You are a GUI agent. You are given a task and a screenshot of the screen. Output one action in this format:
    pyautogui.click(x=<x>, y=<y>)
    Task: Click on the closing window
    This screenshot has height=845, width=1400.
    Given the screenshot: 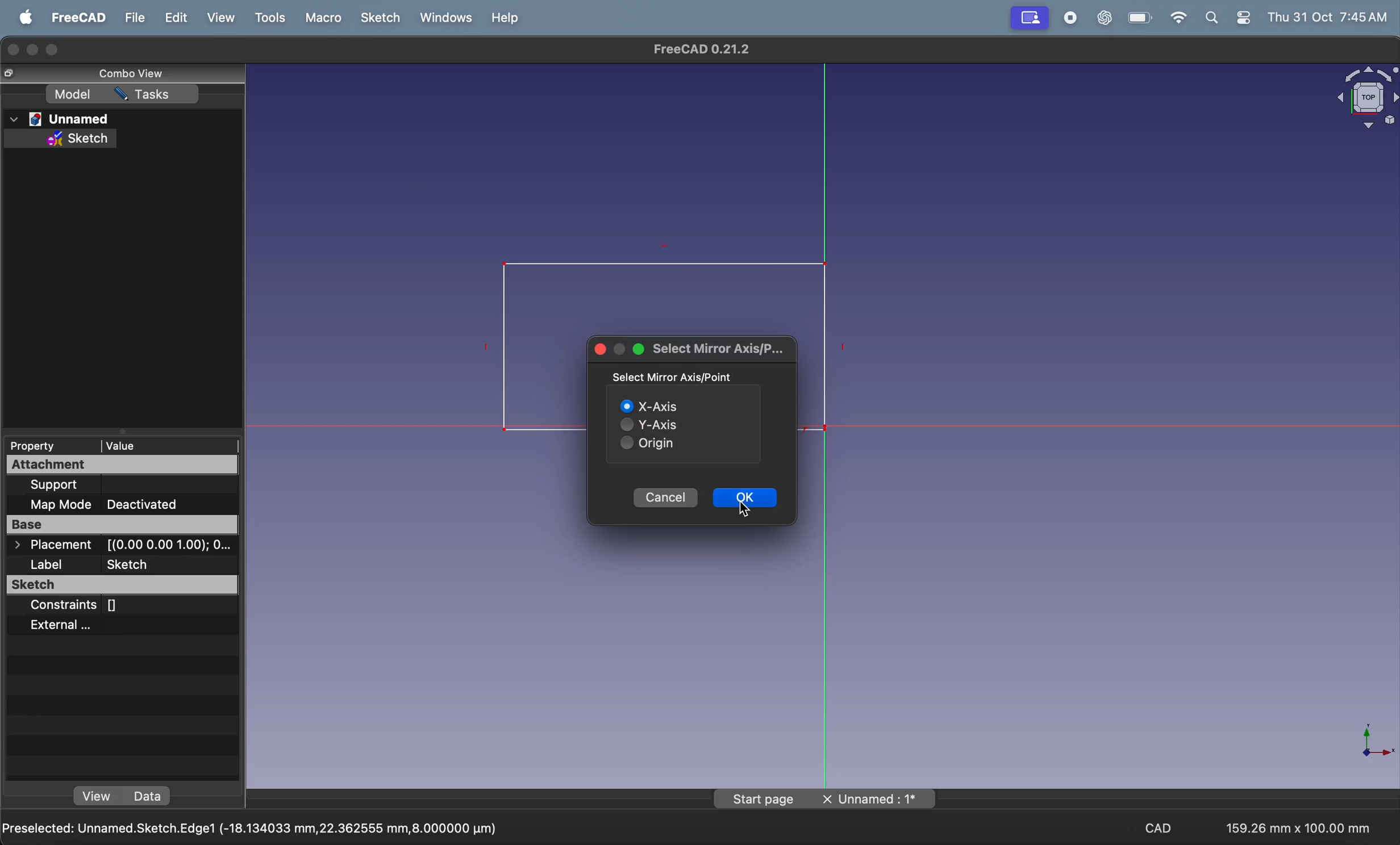 What is the action you would take?
    pyautogui.click(x=12, y=49)
    